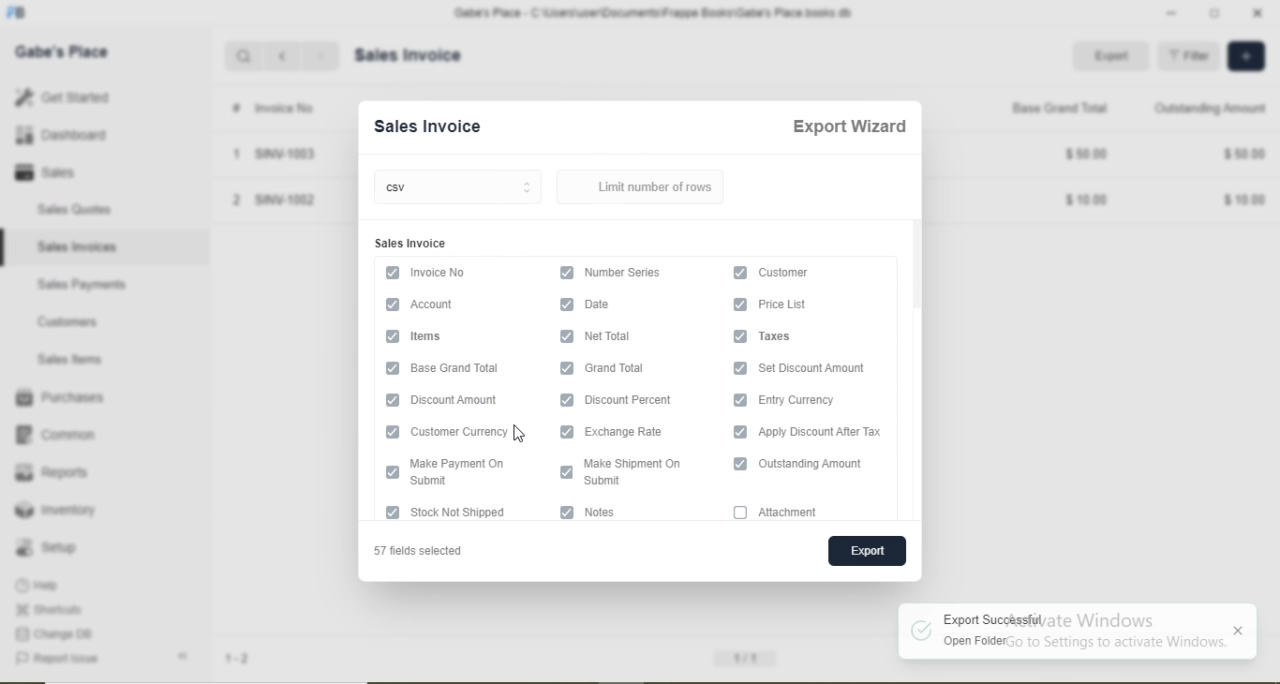  I want to click on Sales Invoice, so click(409, 243).